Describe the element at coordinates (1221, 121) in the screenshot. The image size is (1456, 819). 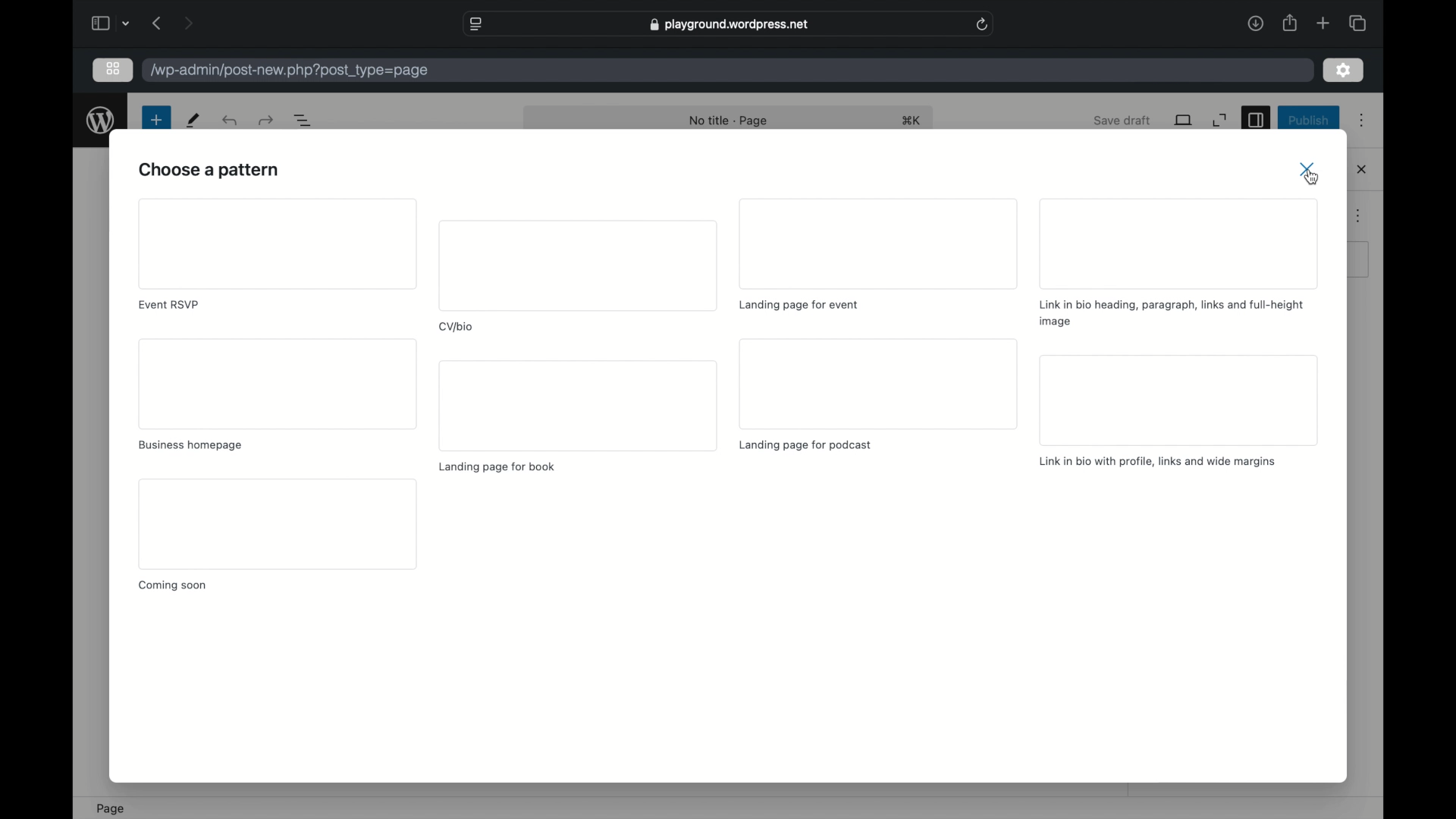
I see `expand` at that location.